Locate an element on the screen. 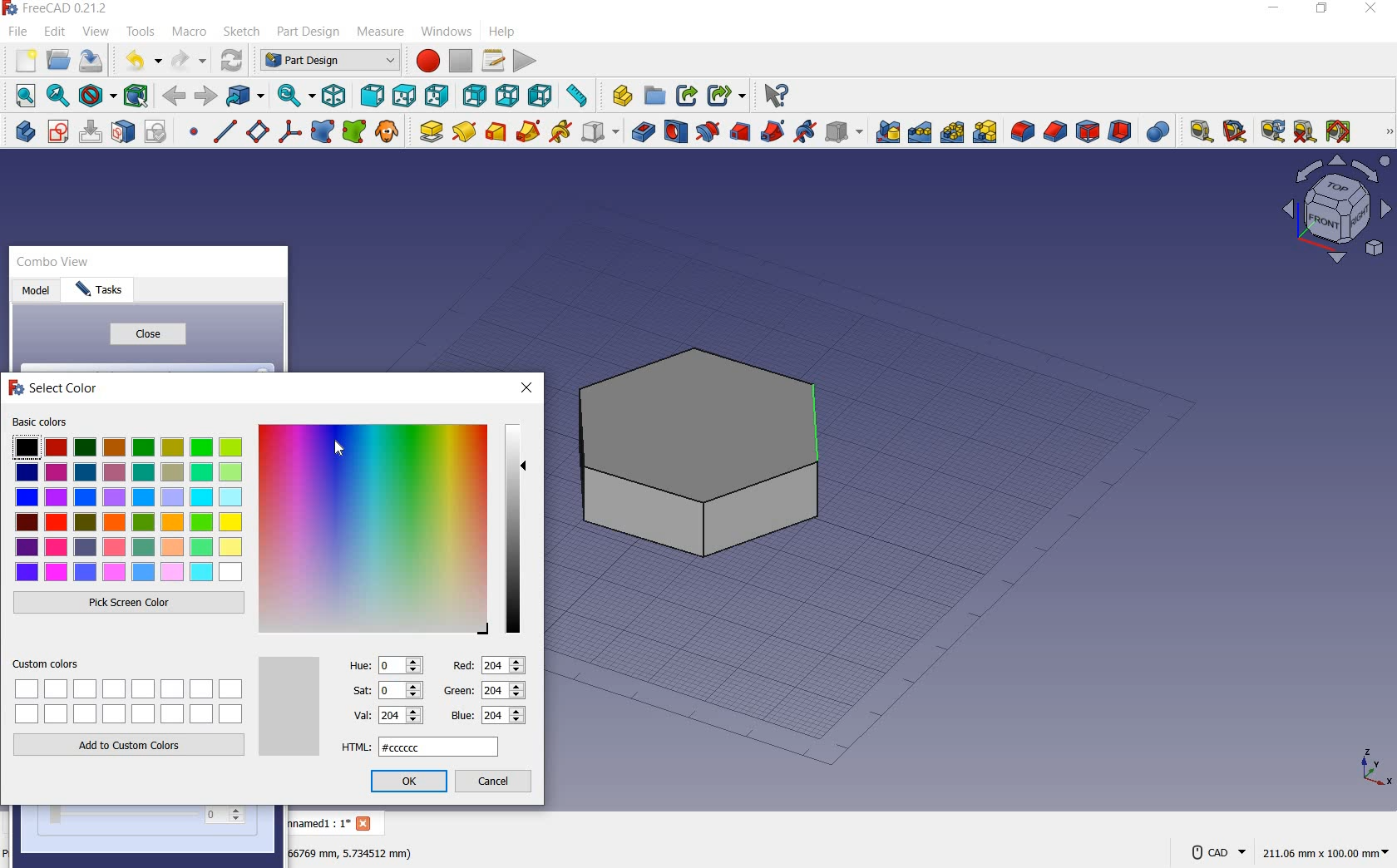  Boolean Operation is located at coordinates (1158, 132).